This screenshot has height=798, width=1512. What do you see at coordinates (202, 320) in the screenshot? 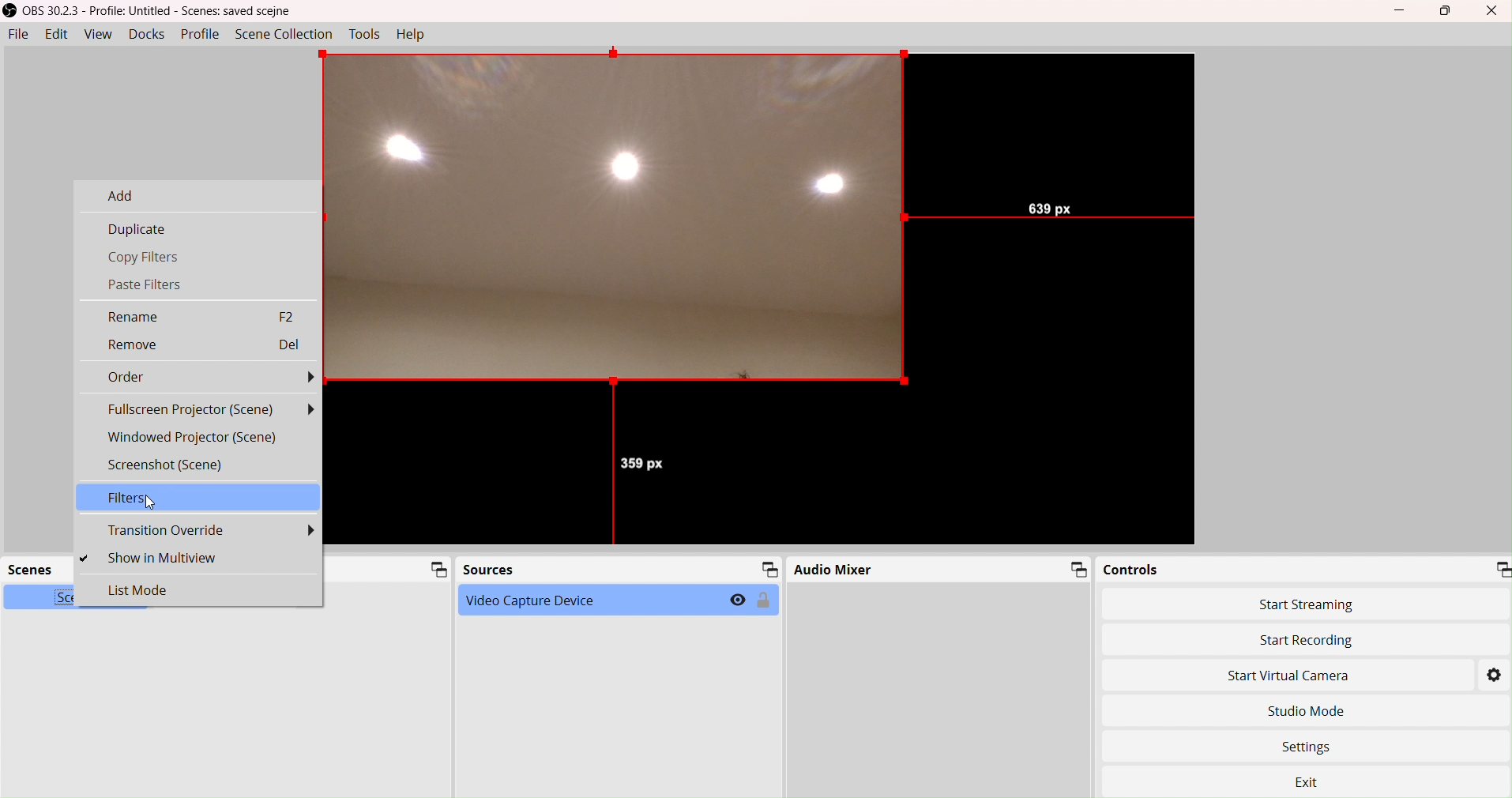
I see `Rename` at bounding box center [202, 320].